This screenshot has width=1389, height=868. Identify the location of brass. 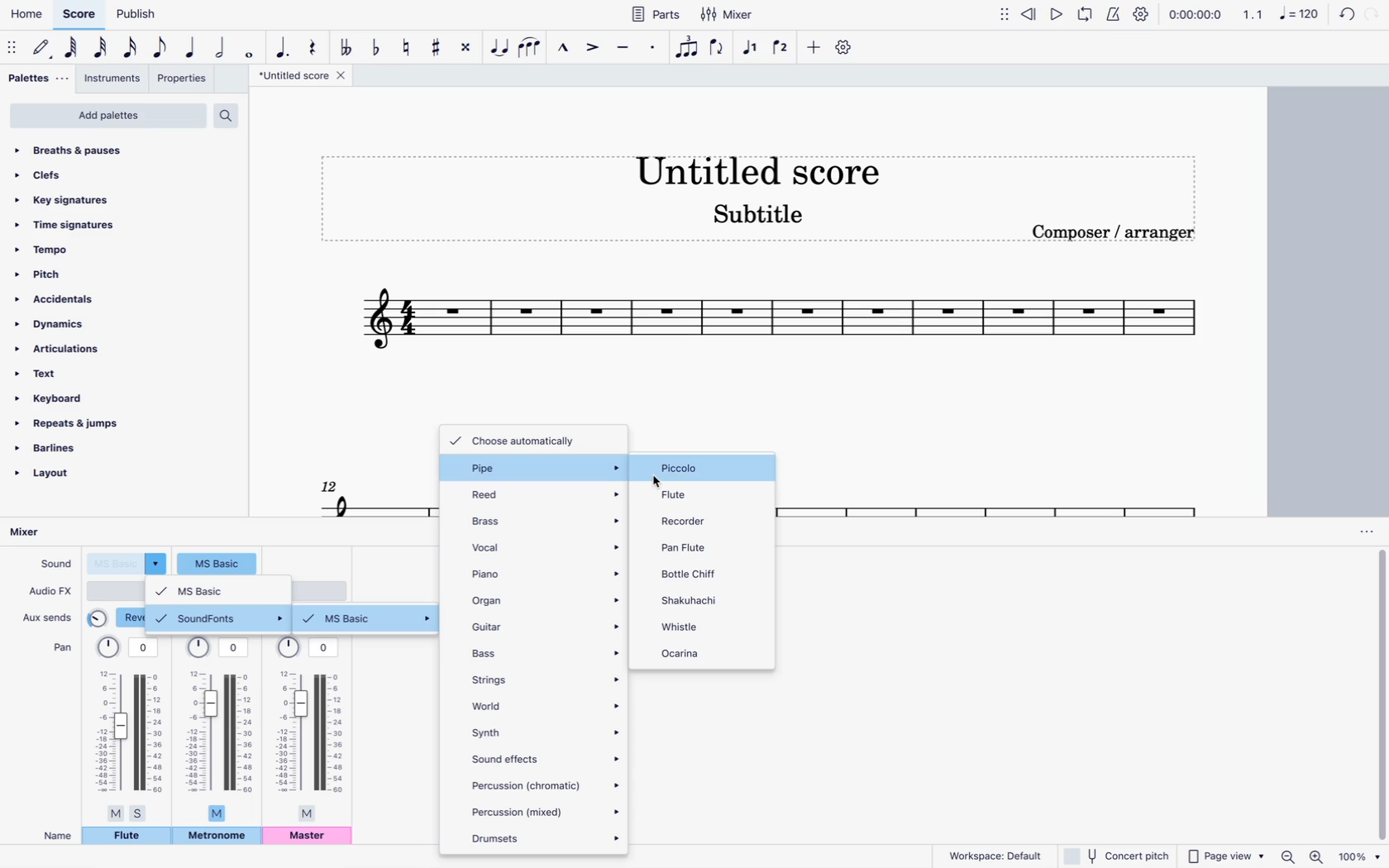
(546, 517).